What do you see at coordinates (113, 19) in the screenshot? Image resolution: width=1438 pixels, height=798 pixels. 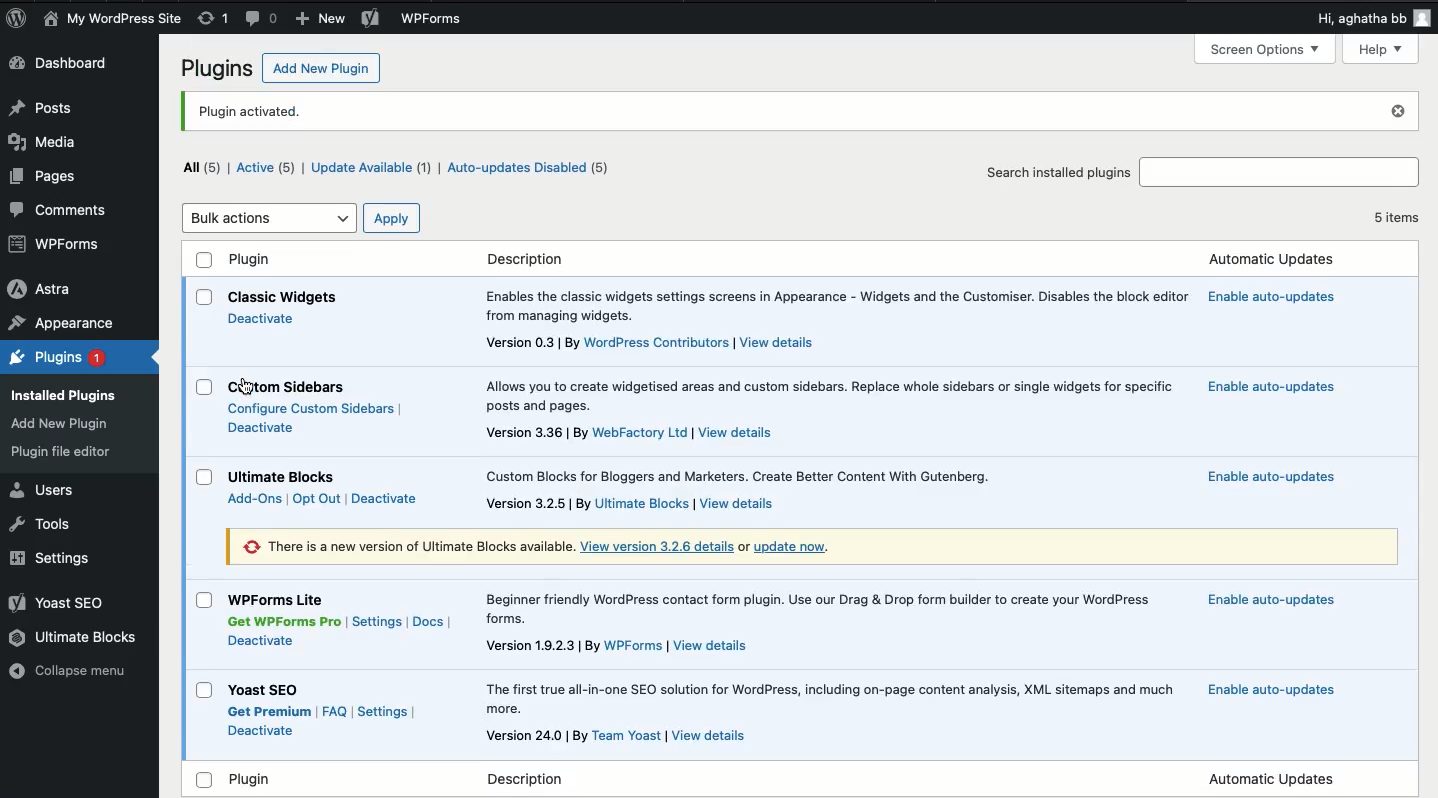 I see `Site` at bounding box center [113, 19].